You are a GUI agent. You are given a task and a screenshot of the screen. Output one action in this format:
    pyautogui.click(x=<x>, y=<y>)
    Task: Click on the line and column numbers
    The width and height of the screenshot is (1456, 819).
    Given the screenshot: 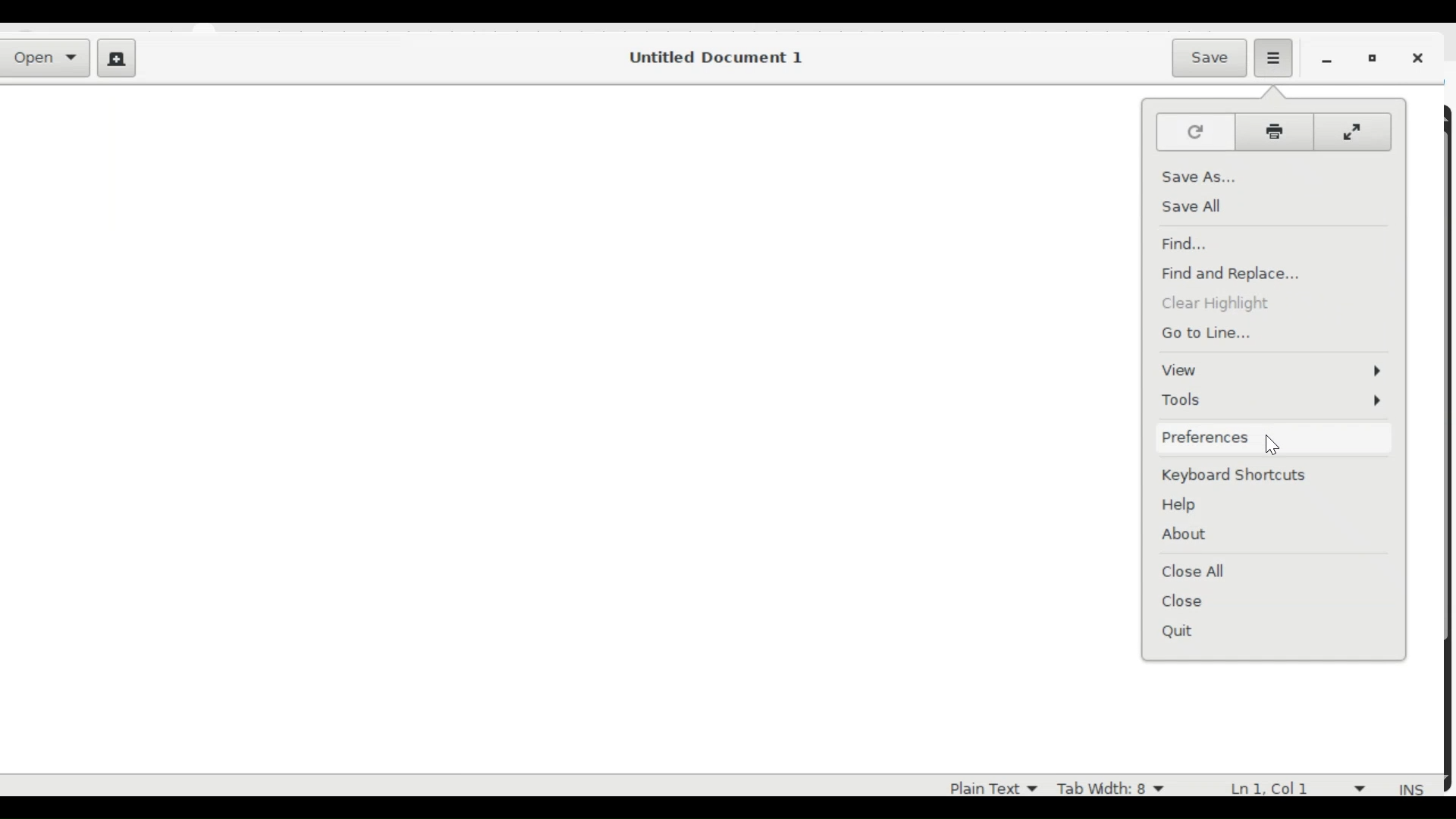 What is the action you would take?
    pyautogui.click(x=1302, y=786)
    